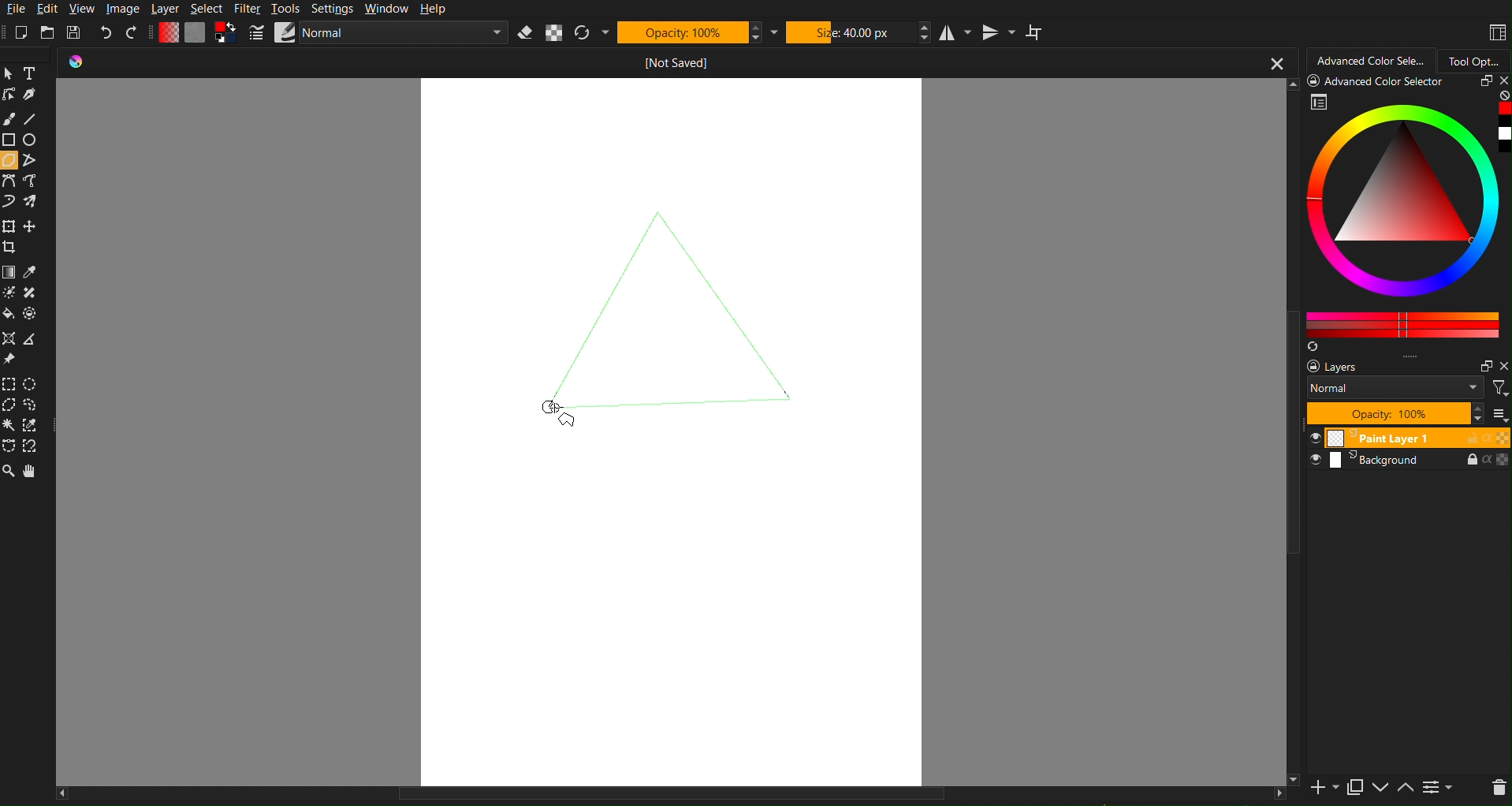 This screenshot has width=1512, height=806. Describe the element at coordinates (34, 472) in the screenshot. I see `Pan` at that location.